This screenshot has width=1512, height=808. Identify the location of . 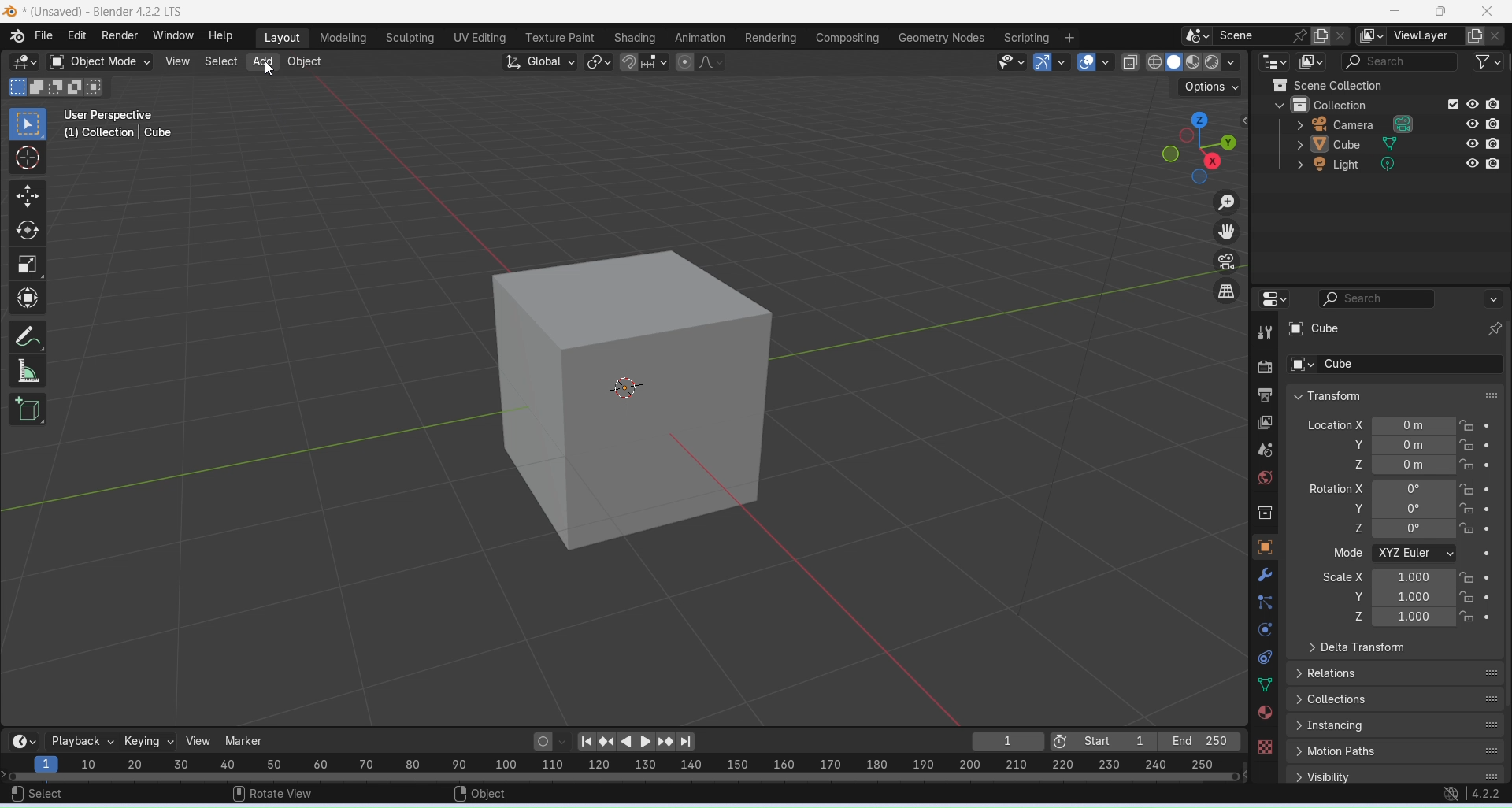
(1266, 514).